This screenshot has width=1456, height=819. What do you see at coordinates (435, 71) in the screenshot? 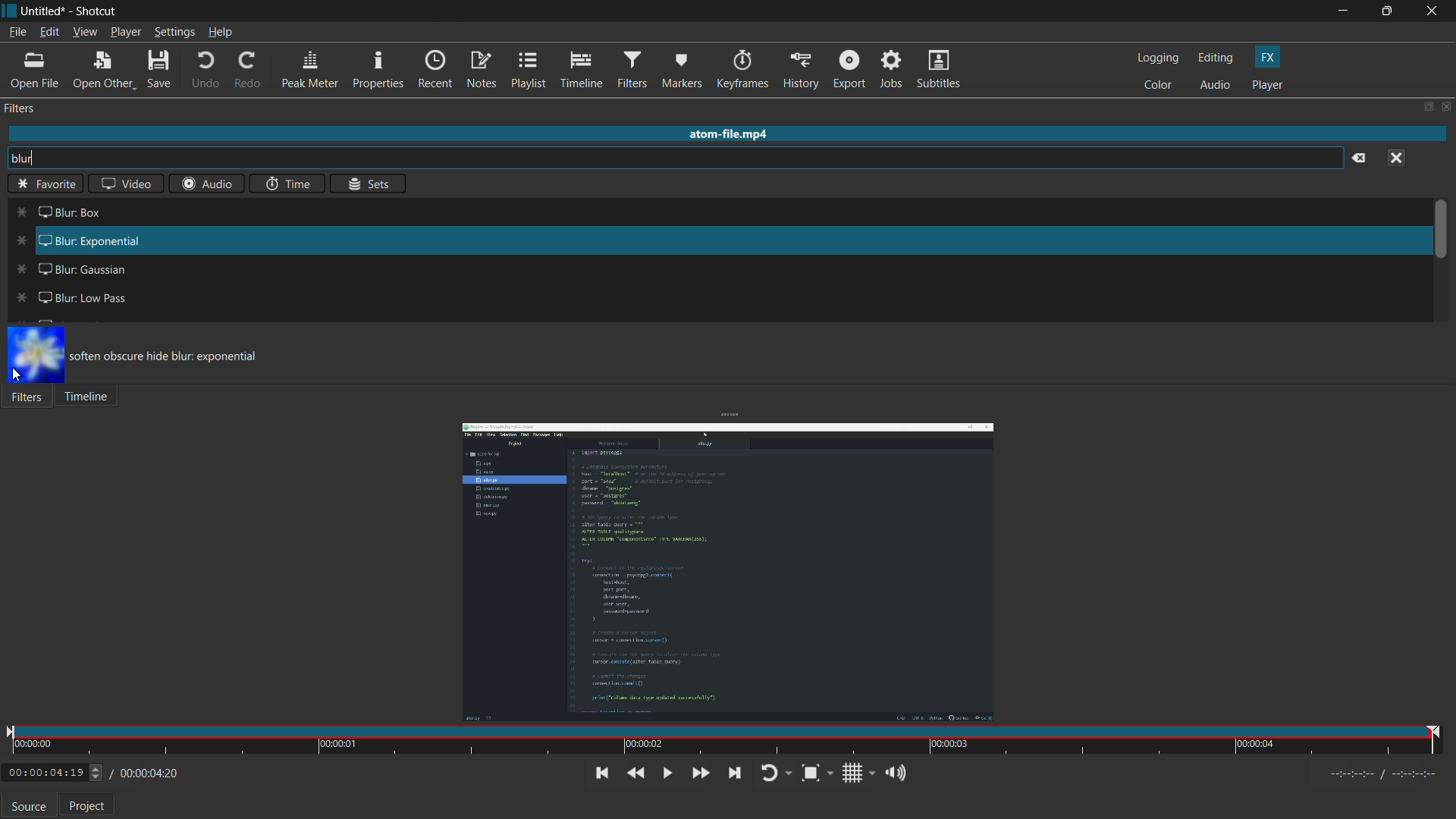
I see `recent` at bounding box center [435, 71].